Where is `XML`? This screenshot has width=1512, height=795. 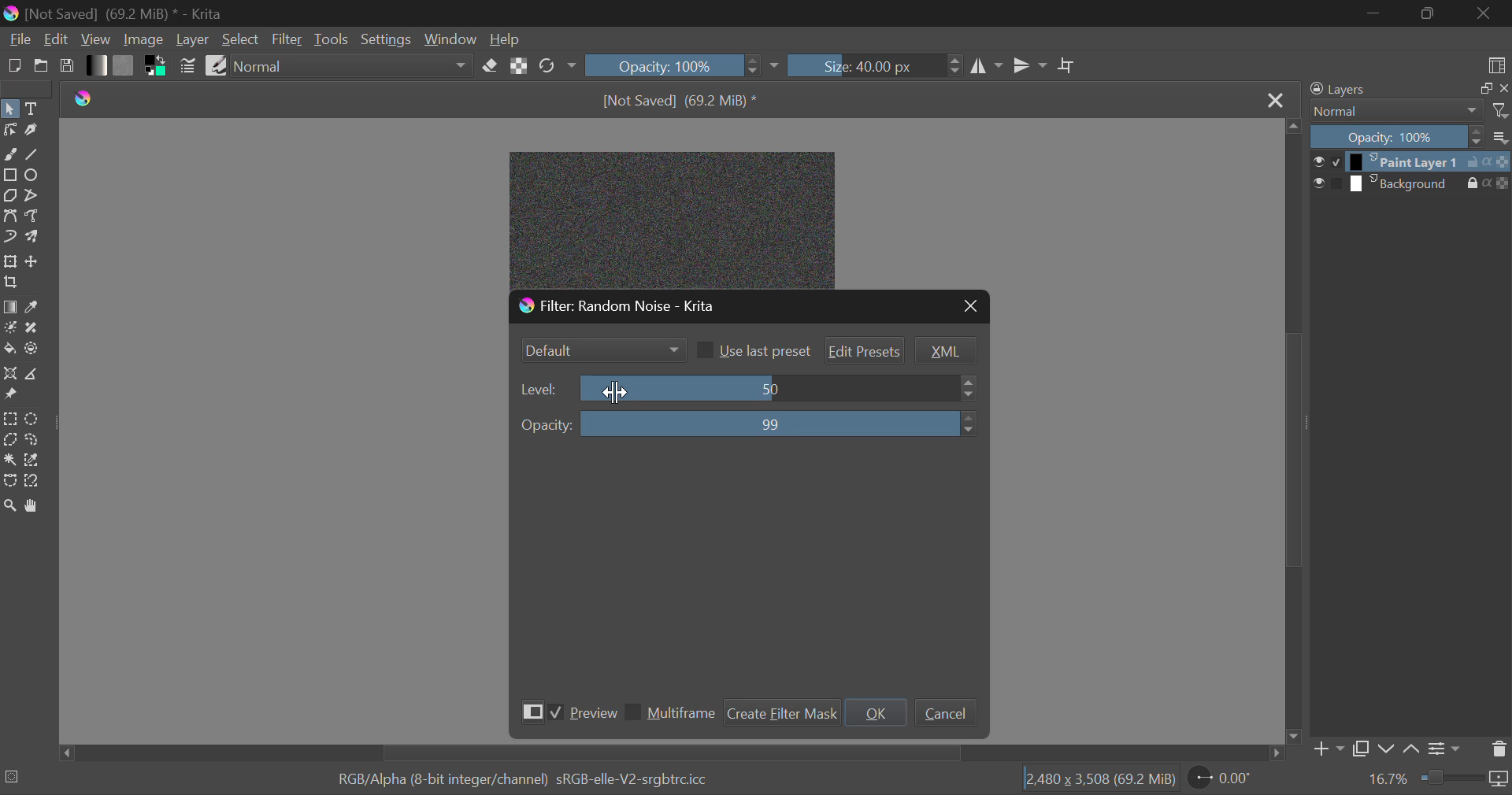 XML is located at coordinates (945, 351).